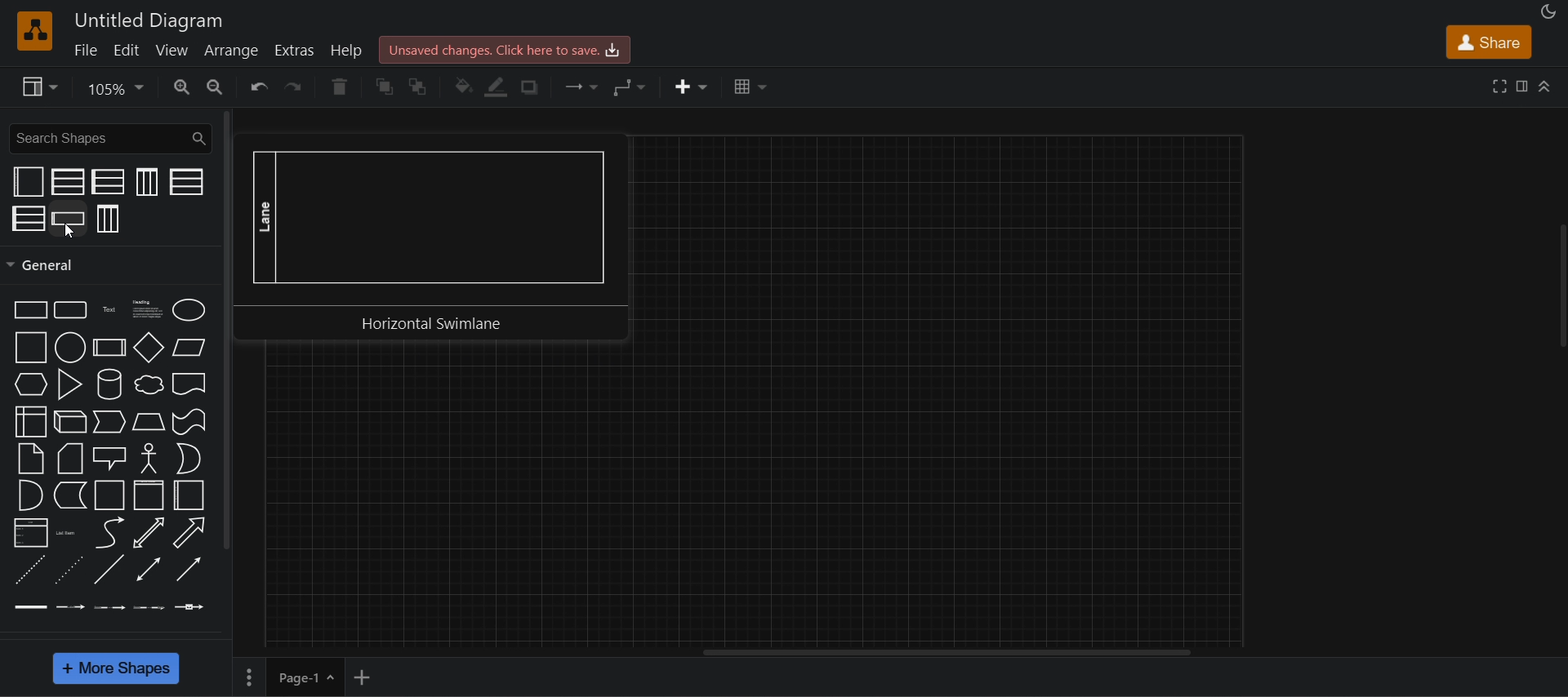 This screenshot has width=1568, height=697. What do you see at coordinates (69, 422) in the screenshot?
I see `cube ` at bounding box center [69, 422].